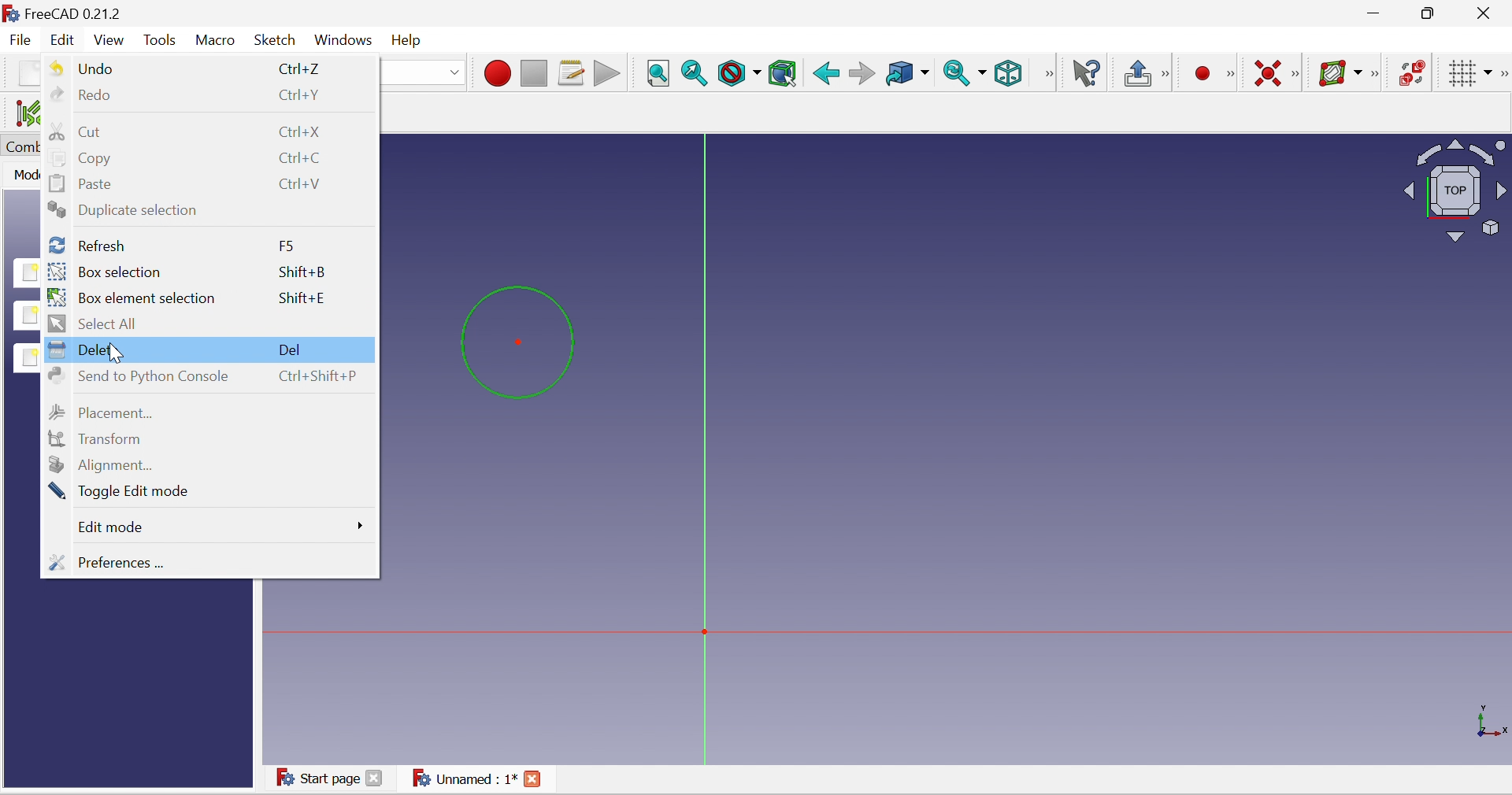 The image size is (1512, 795). Describe the element at coordinates (1503, 74) in the screenshot. I see `[Sketcher edit tools]` at that location.